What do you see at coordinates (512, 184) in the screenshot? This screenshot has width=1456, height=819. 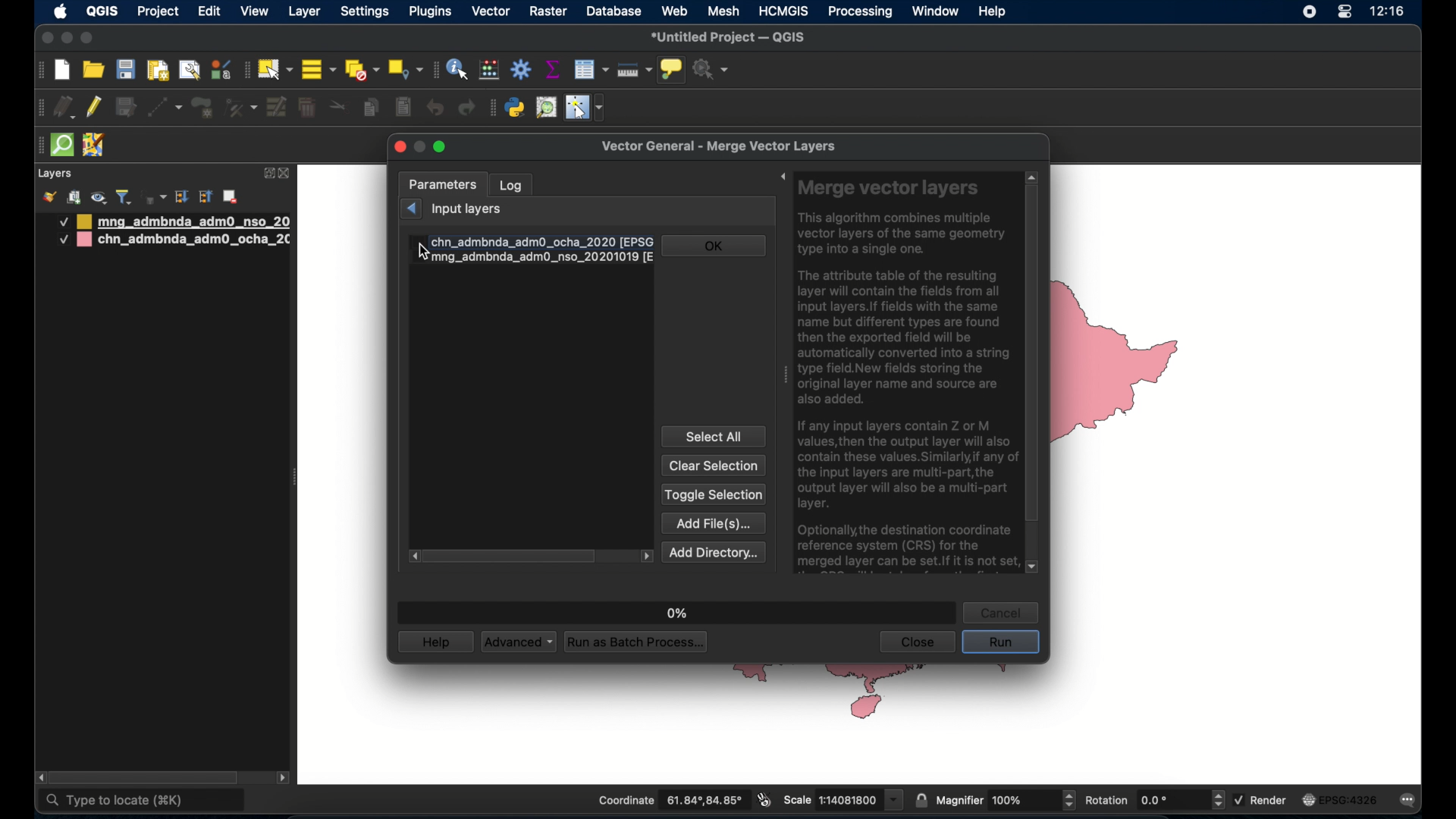 I see `log` at bounding box center [512, 184].